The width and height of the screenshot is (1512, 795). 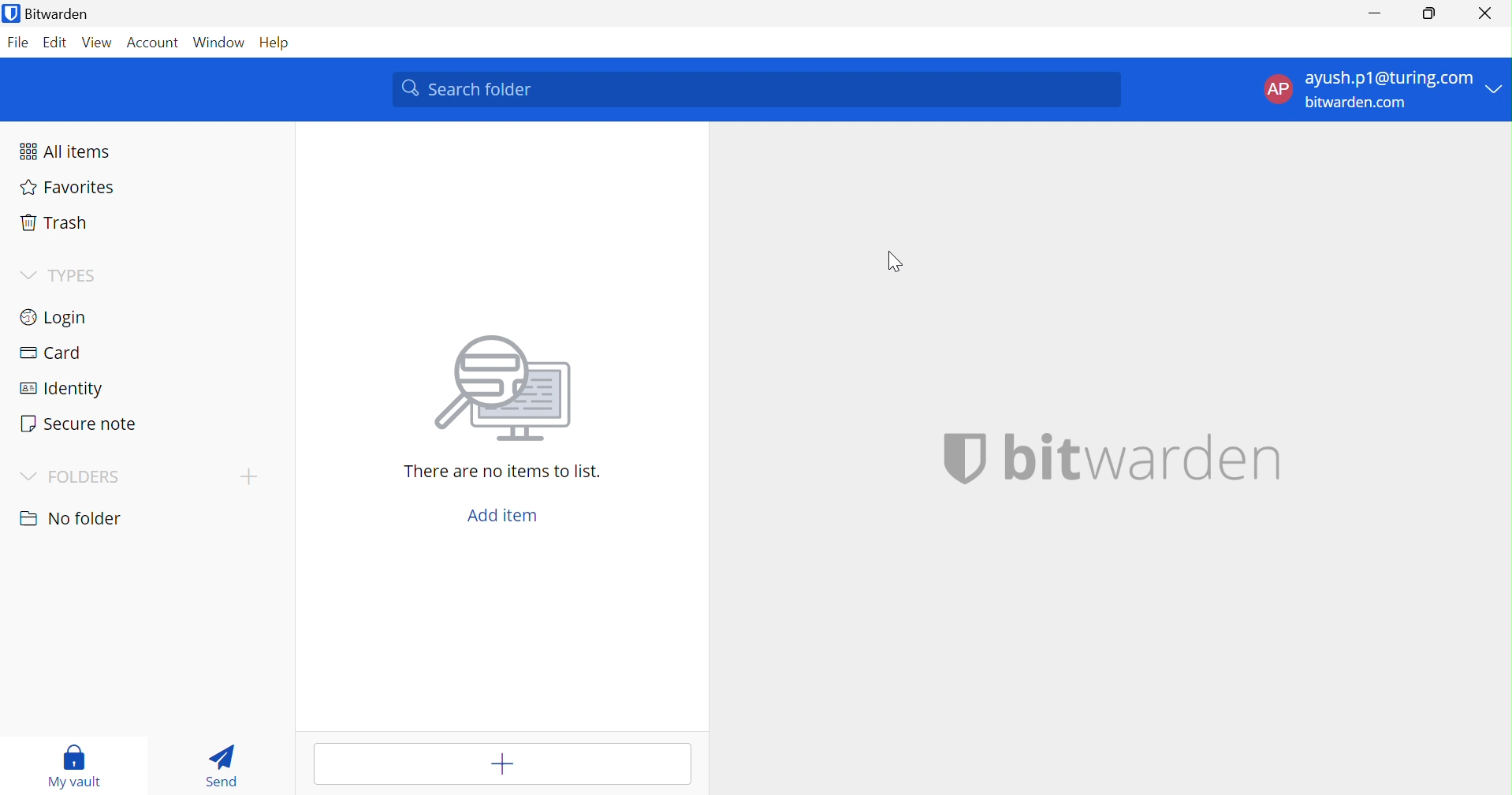 What do you see at coordinates (898, 260) in the screenshot?
I see `Cursor` at bounding box center [898, 260].